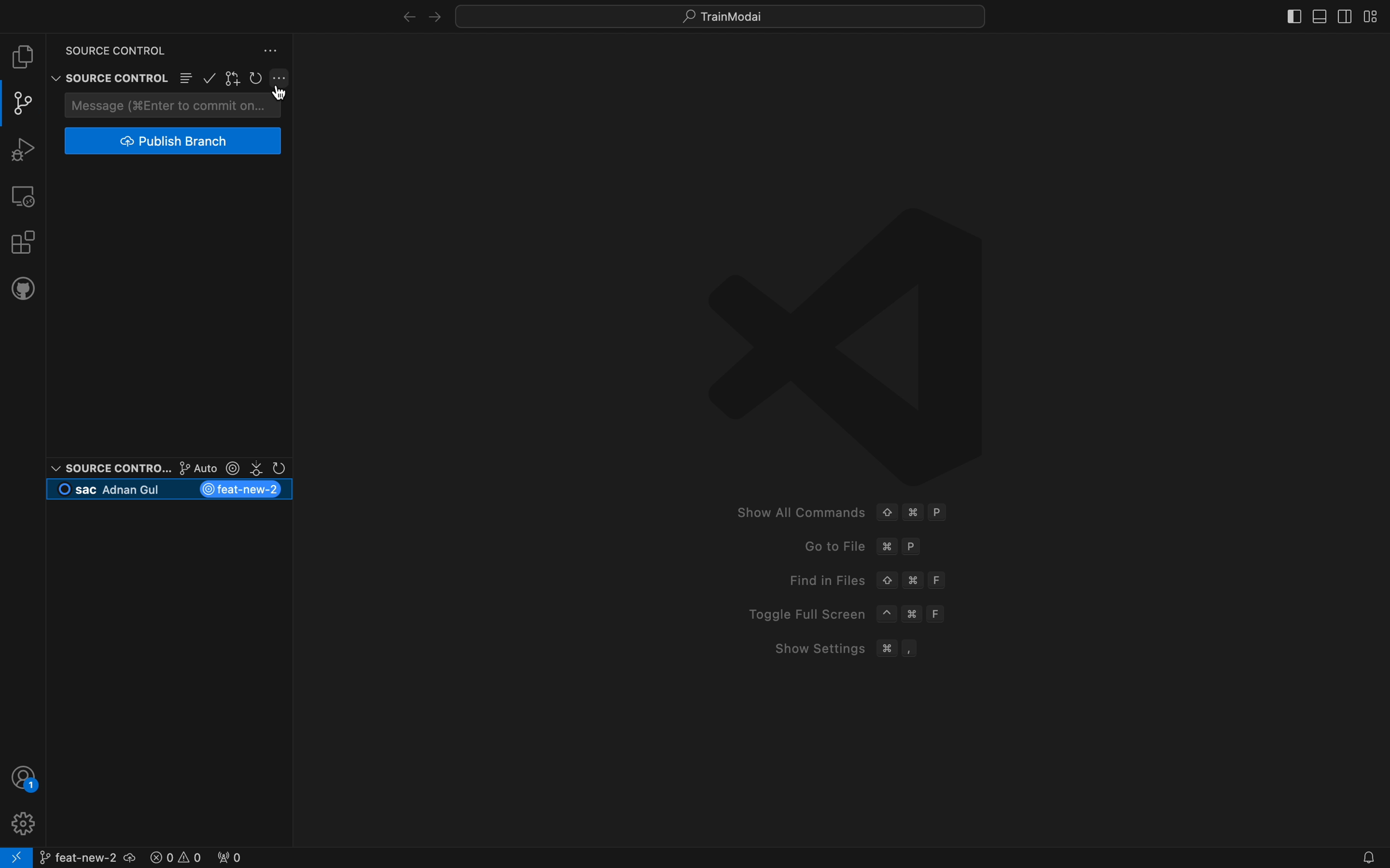  I want to click on Command, so click(916, 616).